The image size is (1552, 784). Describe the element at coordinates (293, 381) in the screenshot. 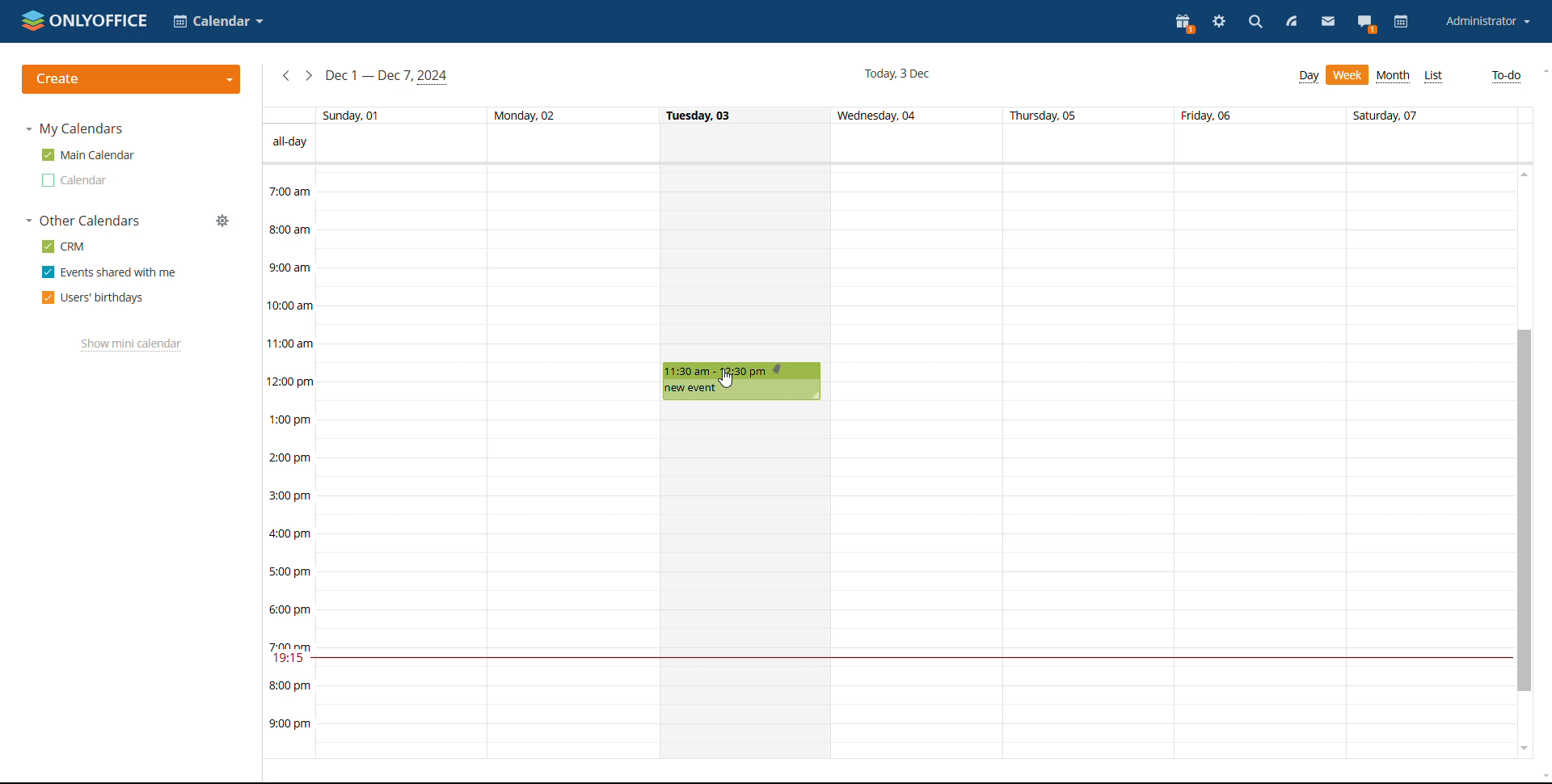

I see `12:00 pm` at that location.